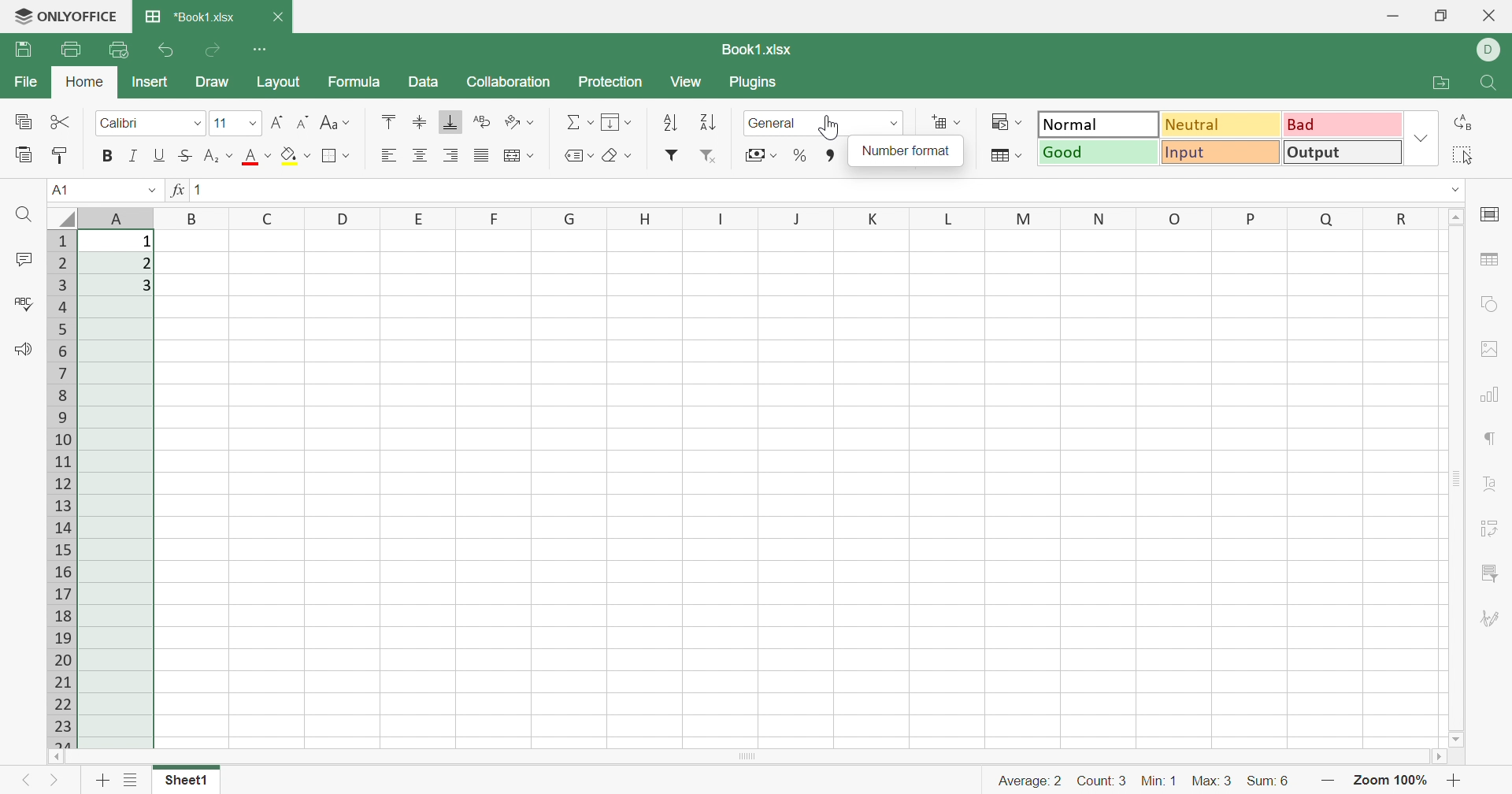 Image resolution: width=1512 pixels, height=794 pixels. Describe the element at coordinates (218, 156) in the screenshot. I see `Subscript` at that location.